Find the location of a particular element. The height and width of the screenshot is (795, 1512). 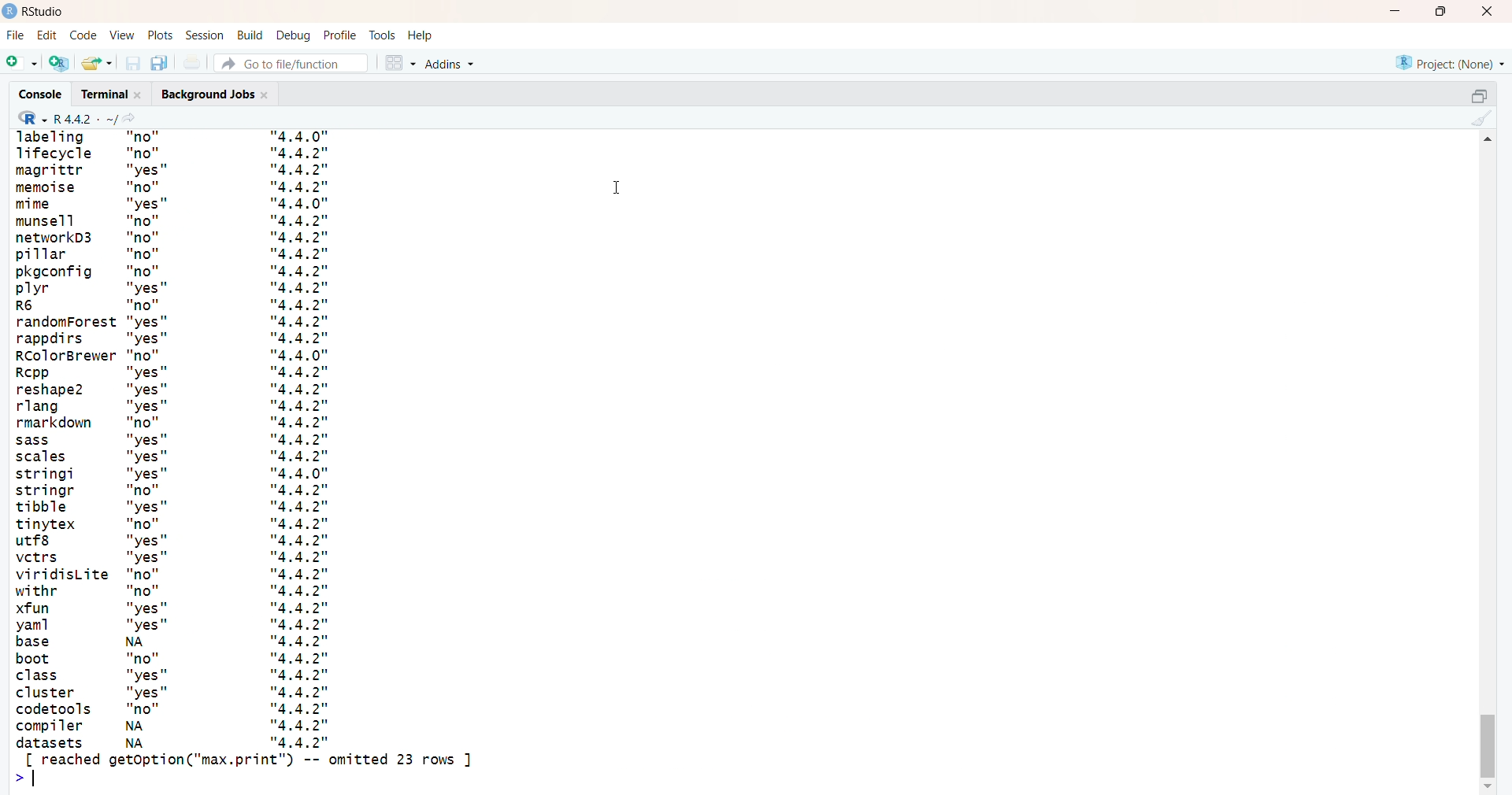

plots is located at coordinates (158, 34).